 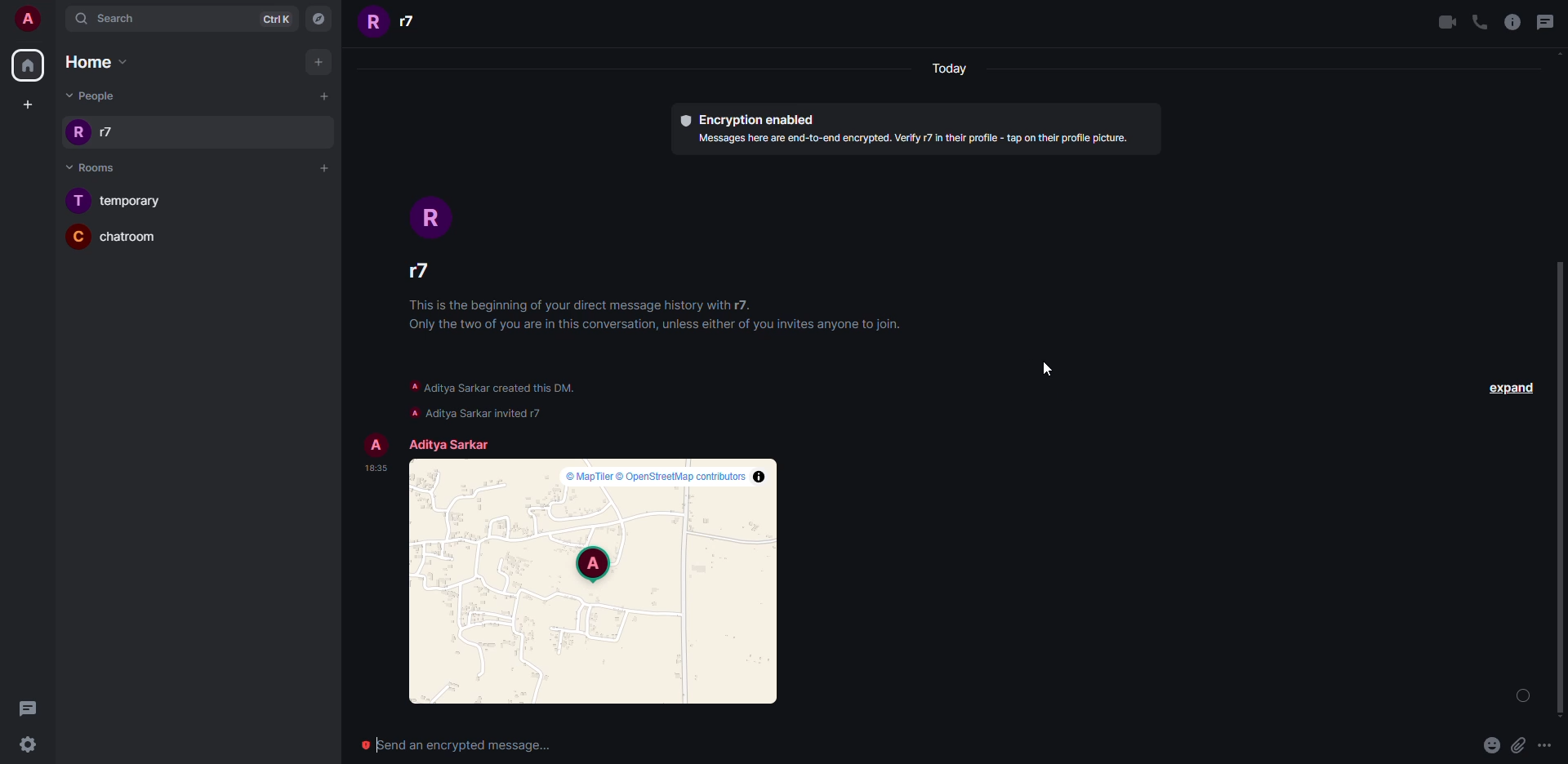 I want to click on call, so click(x=1479, y=24).